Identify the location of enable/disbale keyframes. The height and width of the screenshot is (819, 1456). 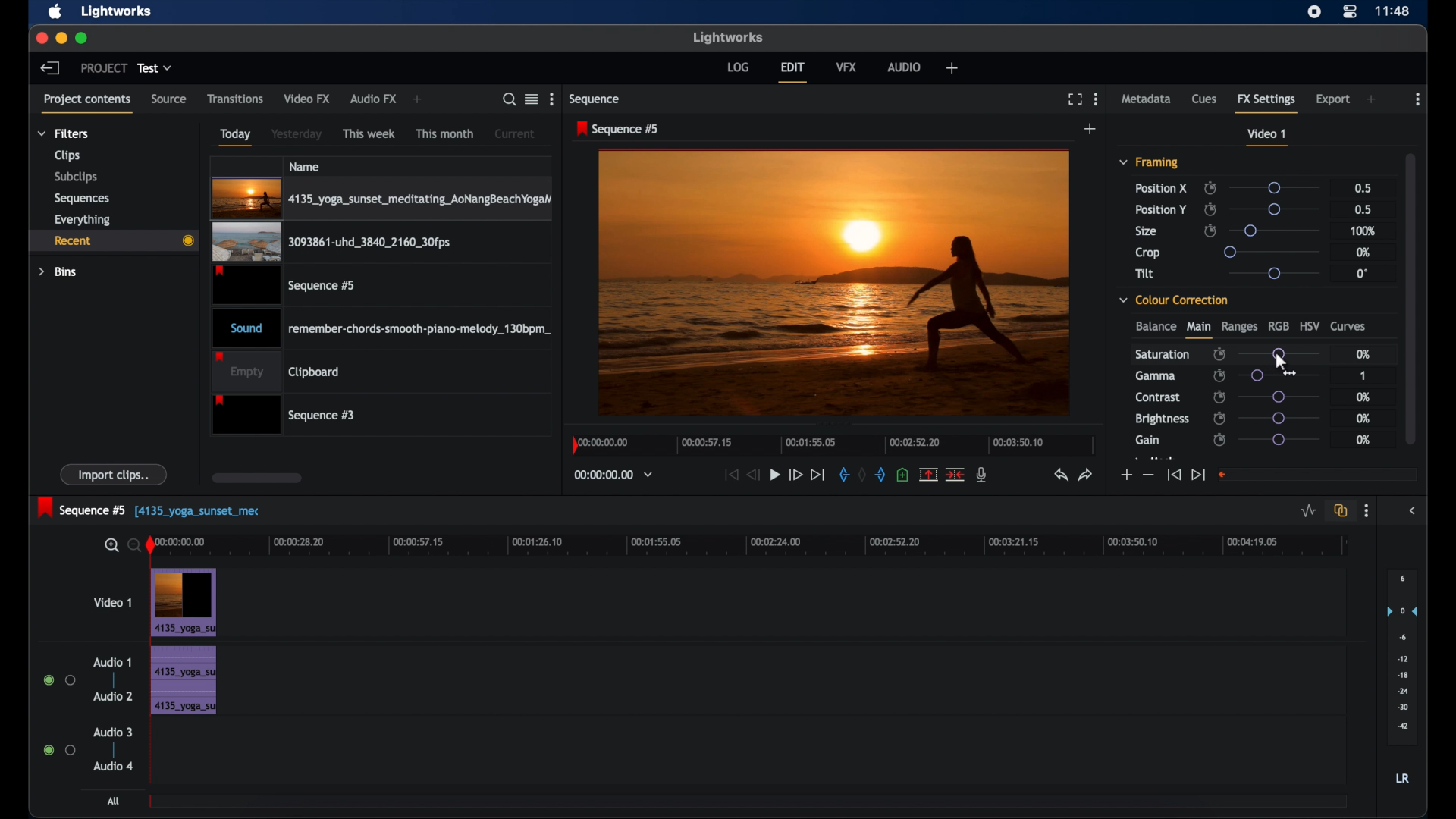
(1220, 353).